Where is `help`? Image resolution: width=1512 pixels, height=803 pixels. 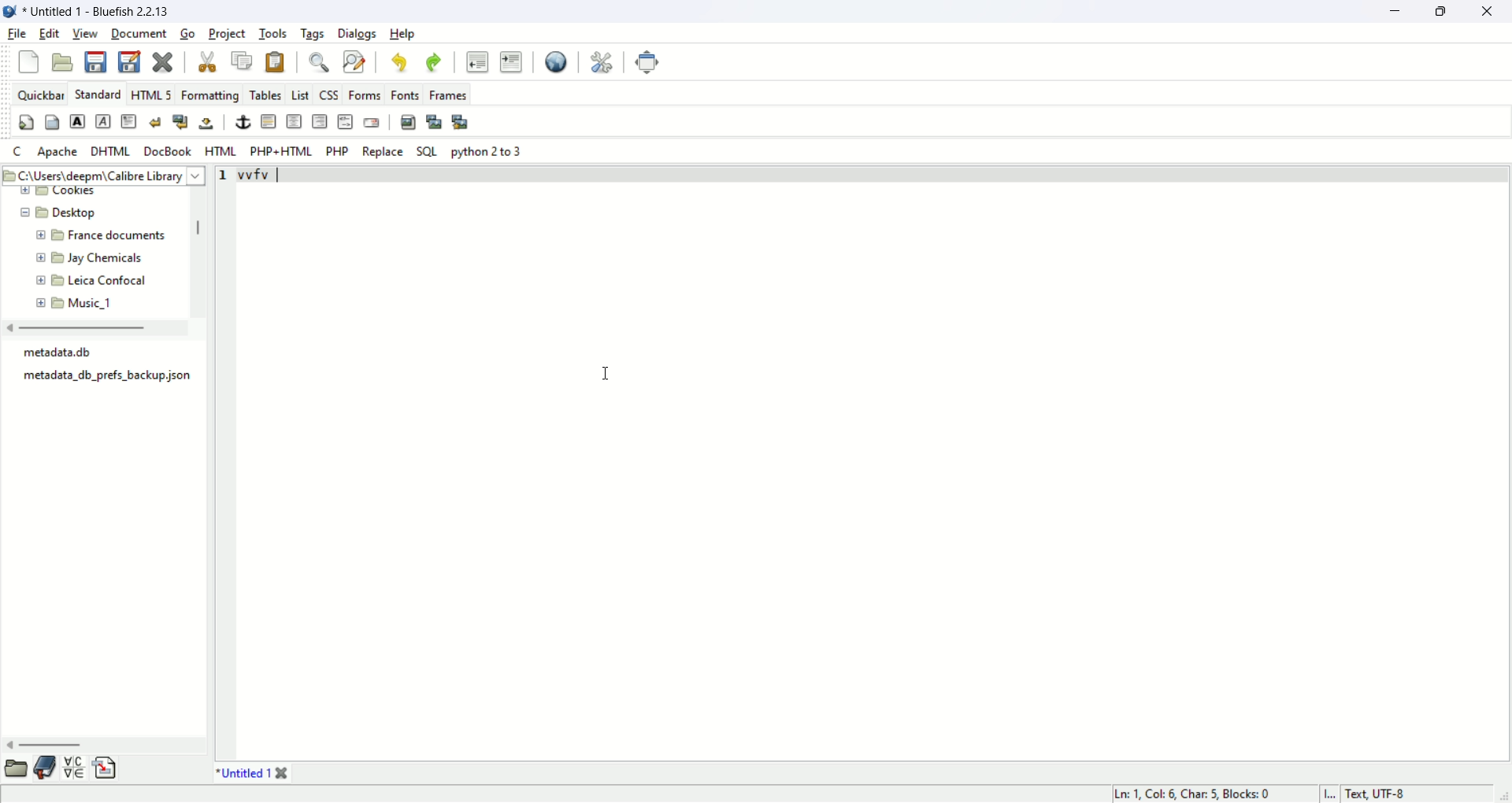 help is located at coordinates (412, 36).